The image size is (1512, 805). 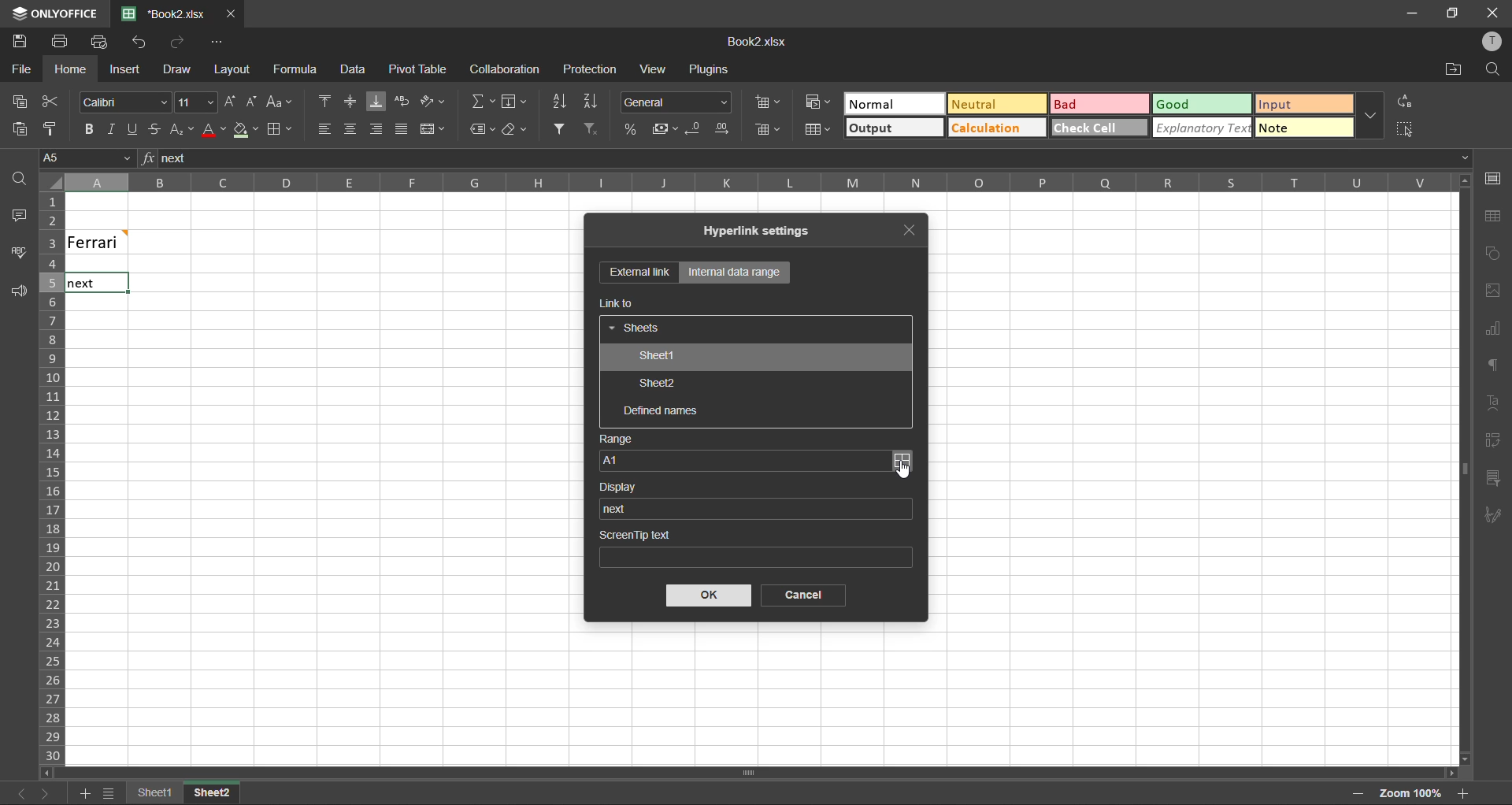 I want to click on spellcheck, so click(x=24, y=254).